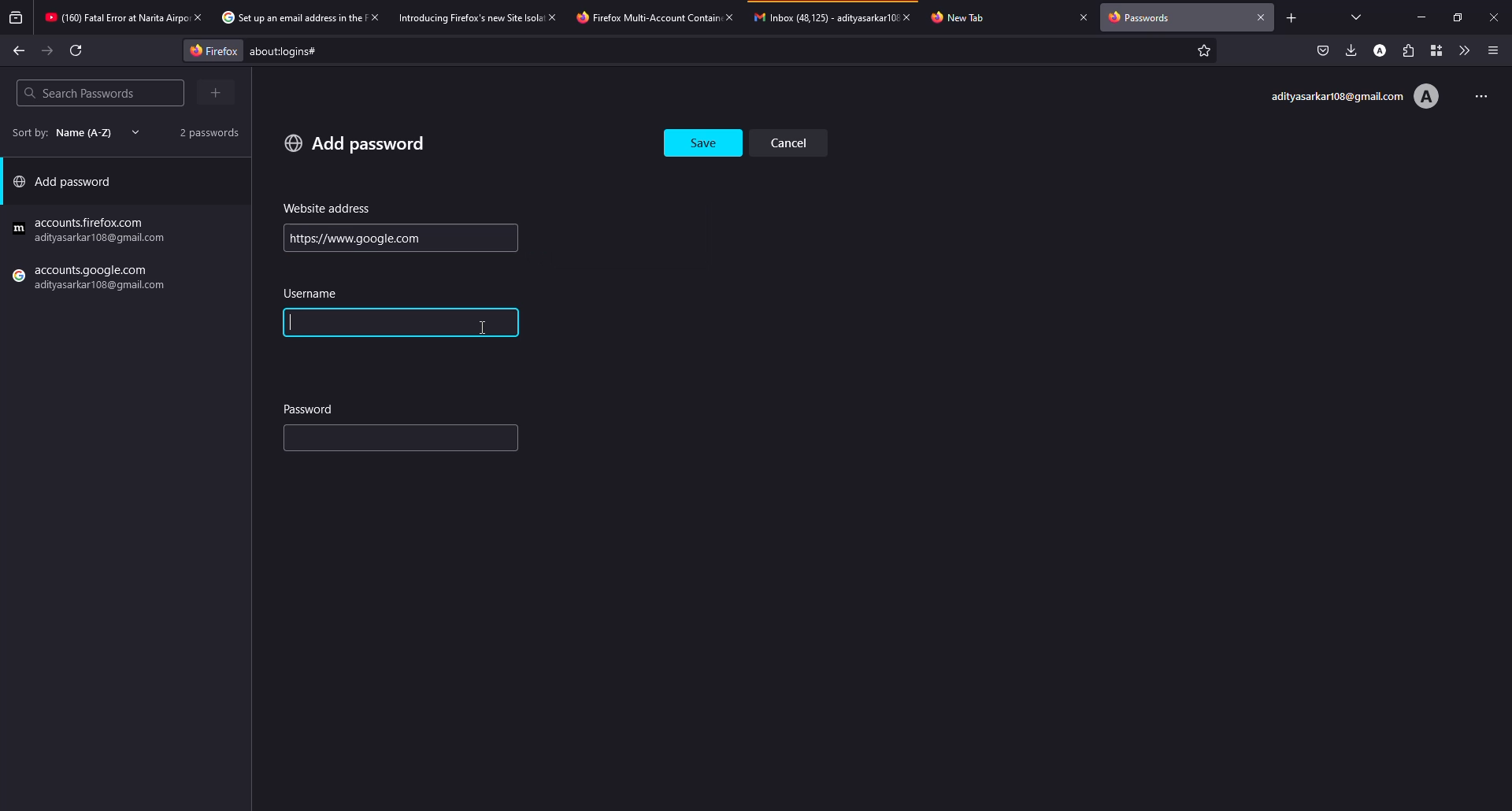 The width and height of the screenshot is (1512, 811). Describe the element at coordinates (77, 50) in the screenshot. I see `refresh` at that location.